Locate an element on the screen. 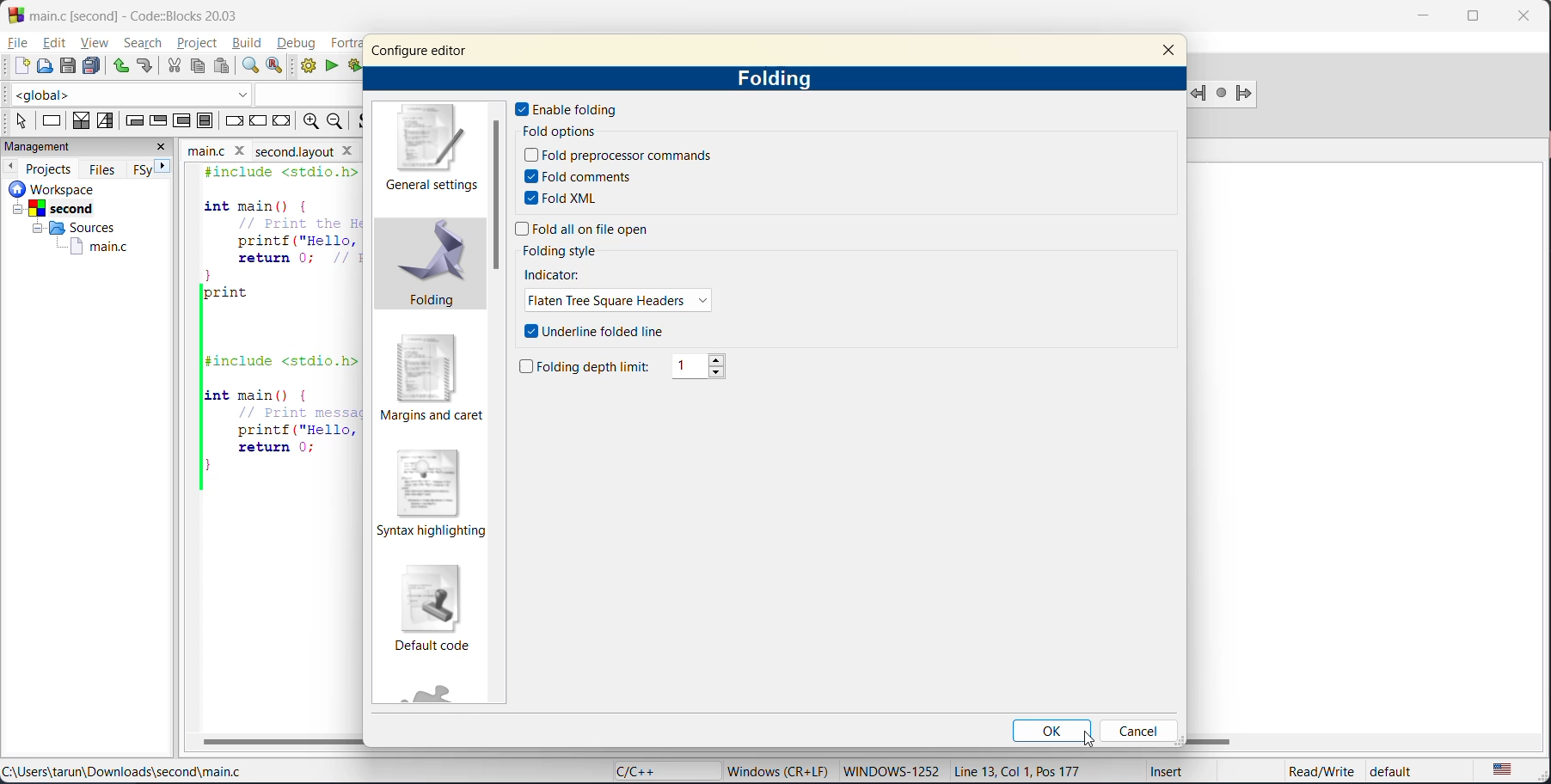  file name is located at coordinates (218, 149).